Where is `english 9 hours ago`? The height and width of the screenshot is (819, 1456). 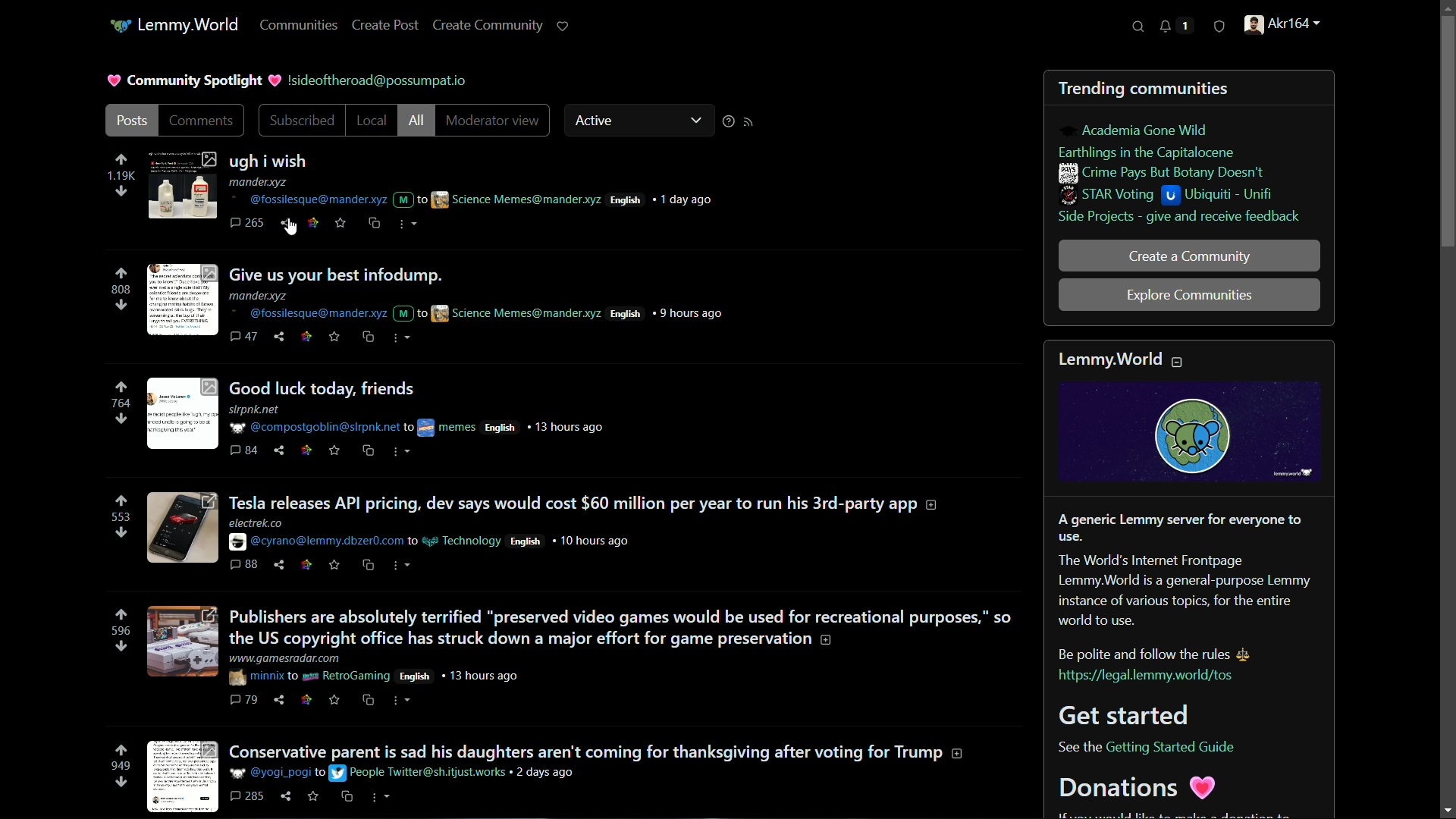
english 9 hours ago is located at coordinates (667, 312).